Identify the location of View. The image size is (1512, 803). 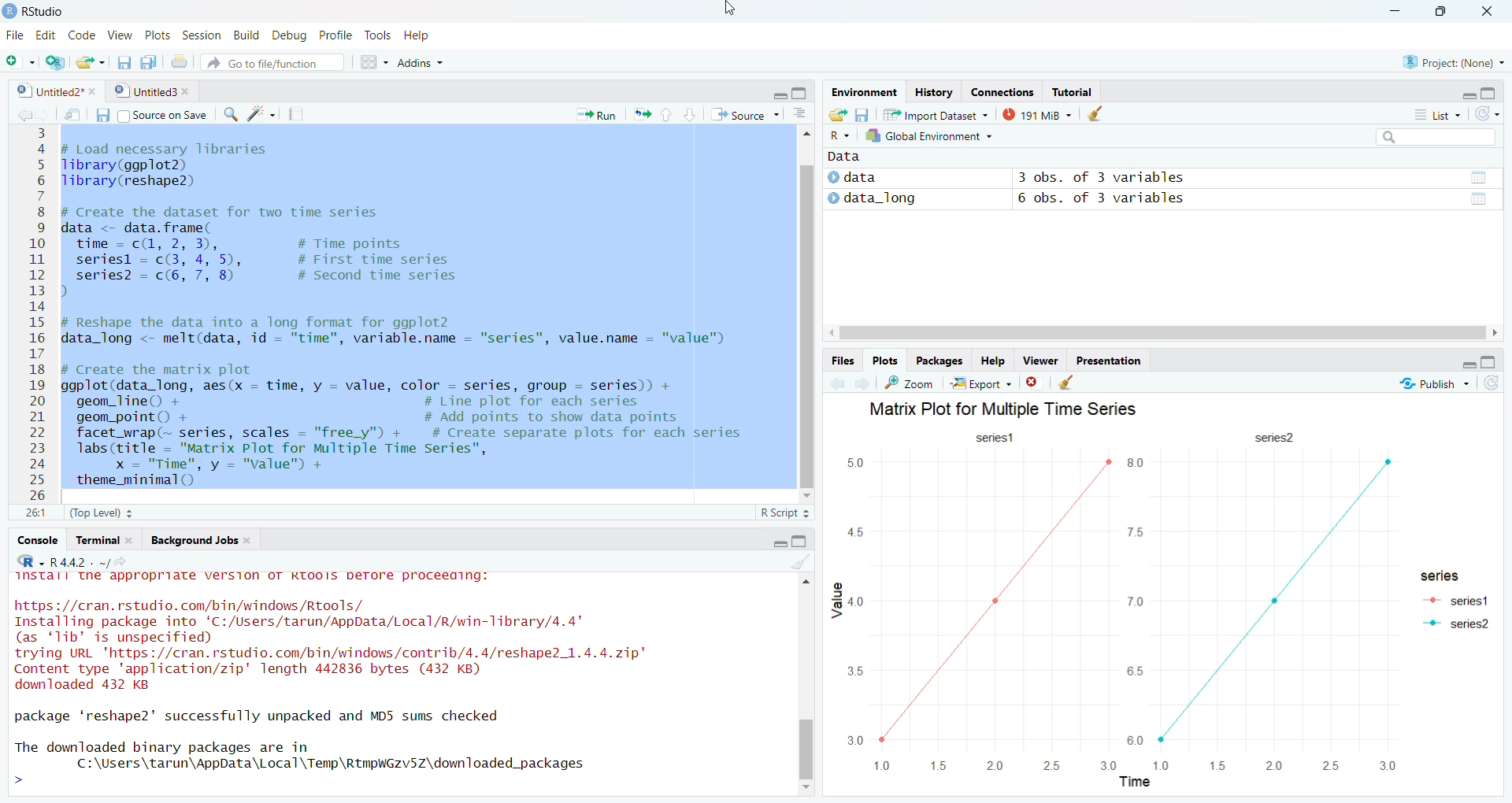
(120, 35).